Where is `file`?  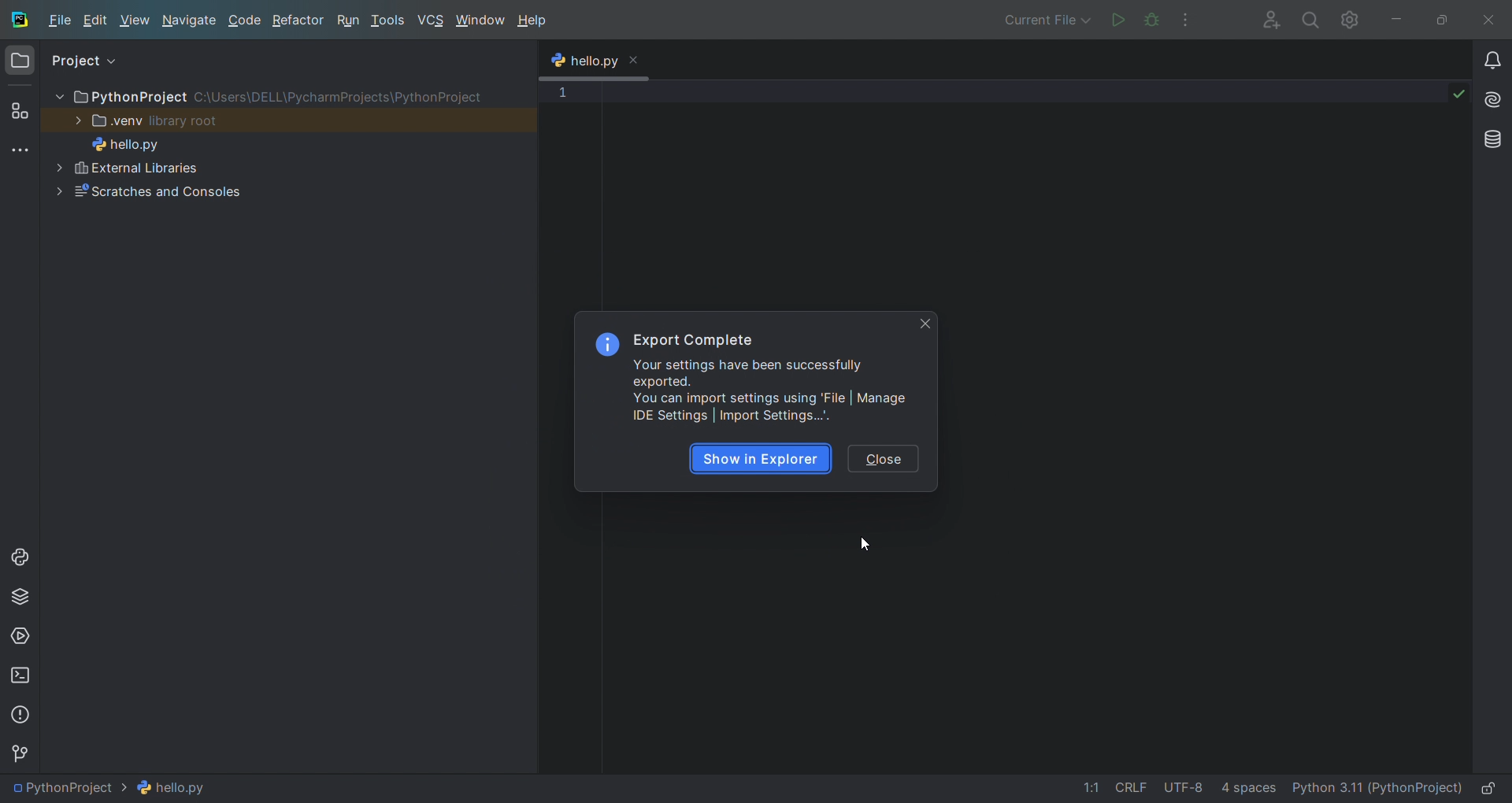
file is located at coordinates (59, 22).